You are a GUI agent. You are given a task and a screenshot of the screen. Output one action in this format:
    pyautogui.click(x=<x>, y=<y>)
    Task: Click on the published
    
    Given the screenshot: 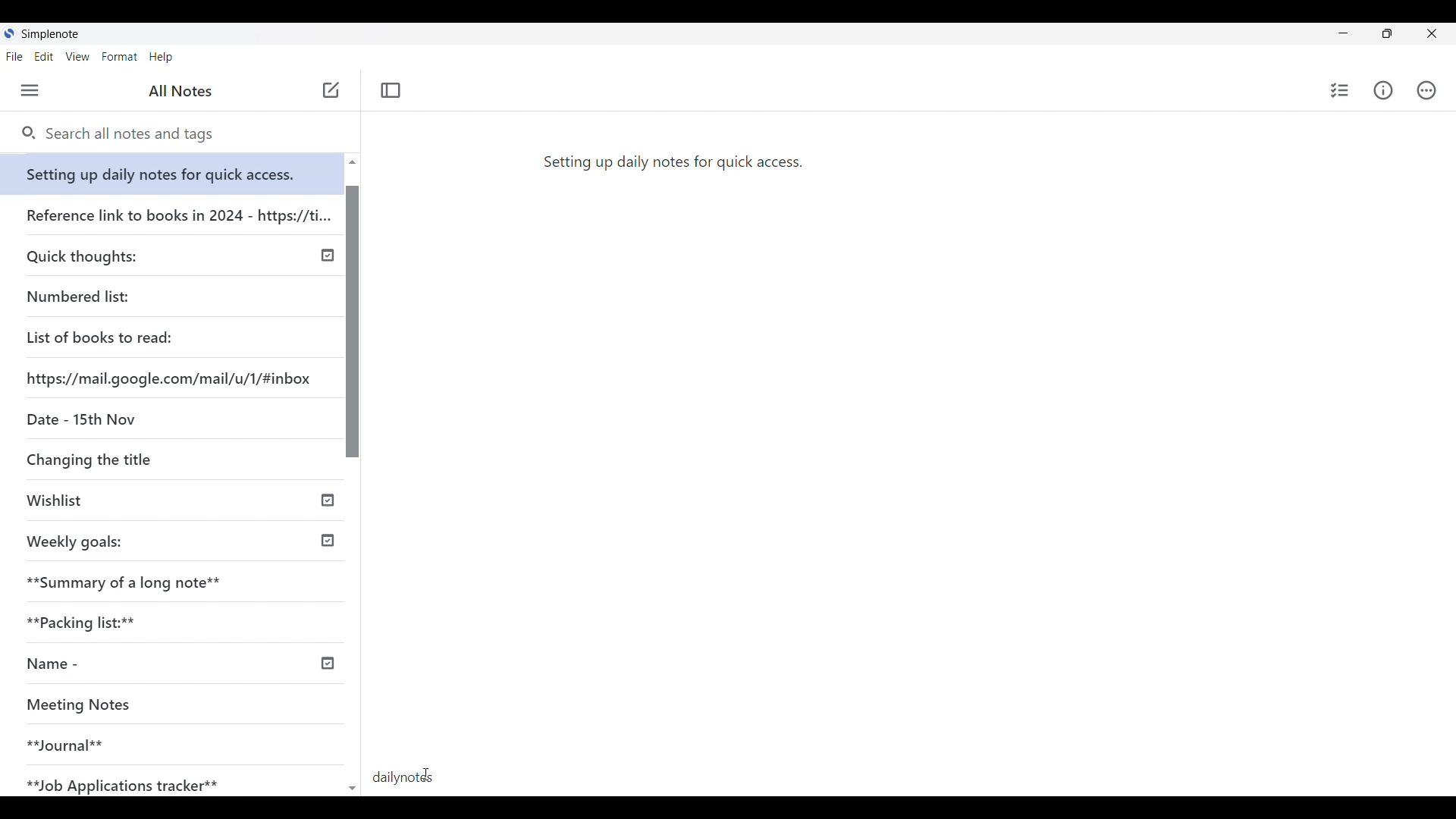 What is the action you would take?
    pyautogui.click(x=328, y=541)
    